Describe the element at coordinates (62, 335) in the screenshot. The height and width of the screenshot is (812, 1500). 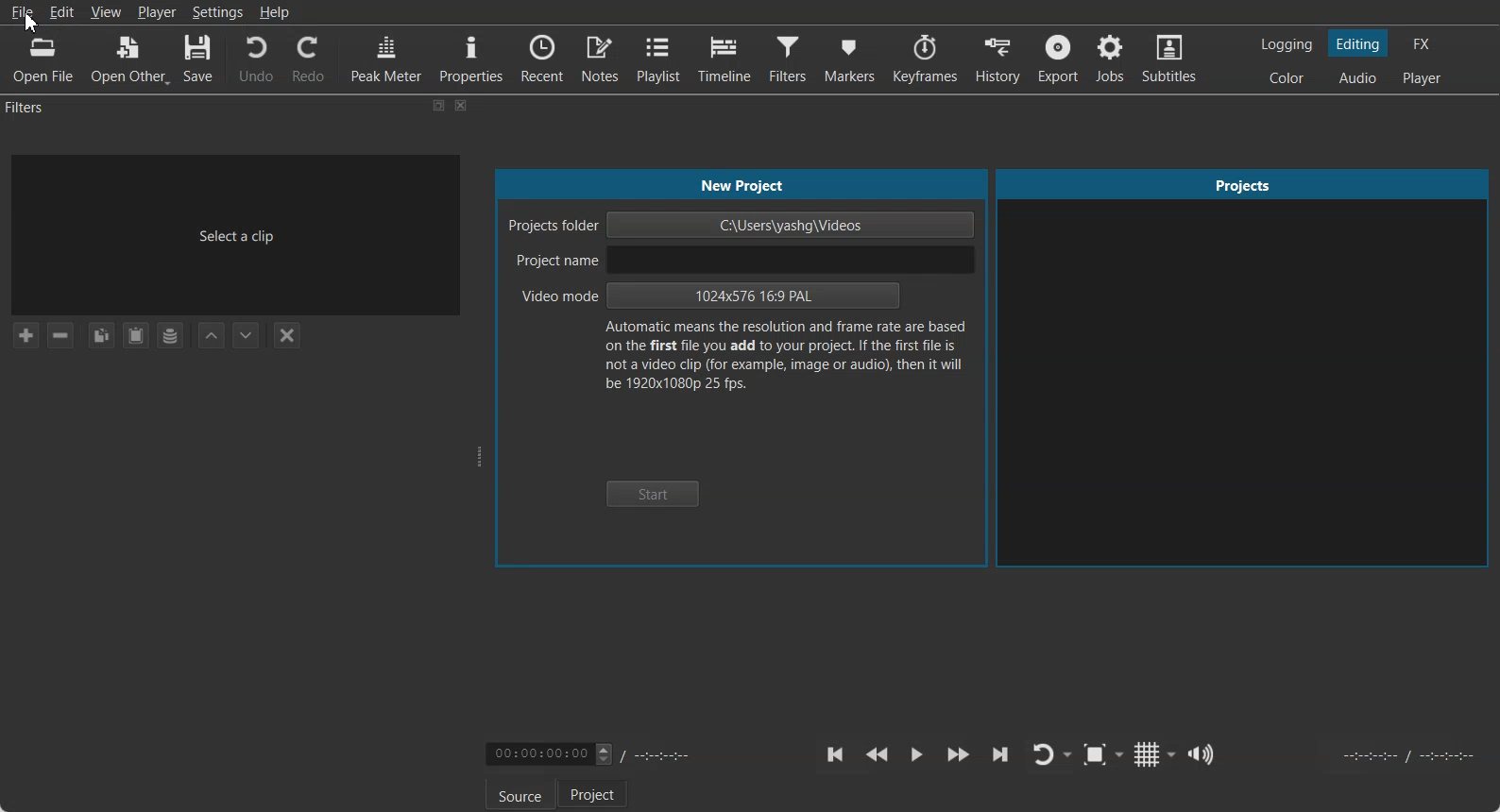
I see `Remove selected Filter` at that location.